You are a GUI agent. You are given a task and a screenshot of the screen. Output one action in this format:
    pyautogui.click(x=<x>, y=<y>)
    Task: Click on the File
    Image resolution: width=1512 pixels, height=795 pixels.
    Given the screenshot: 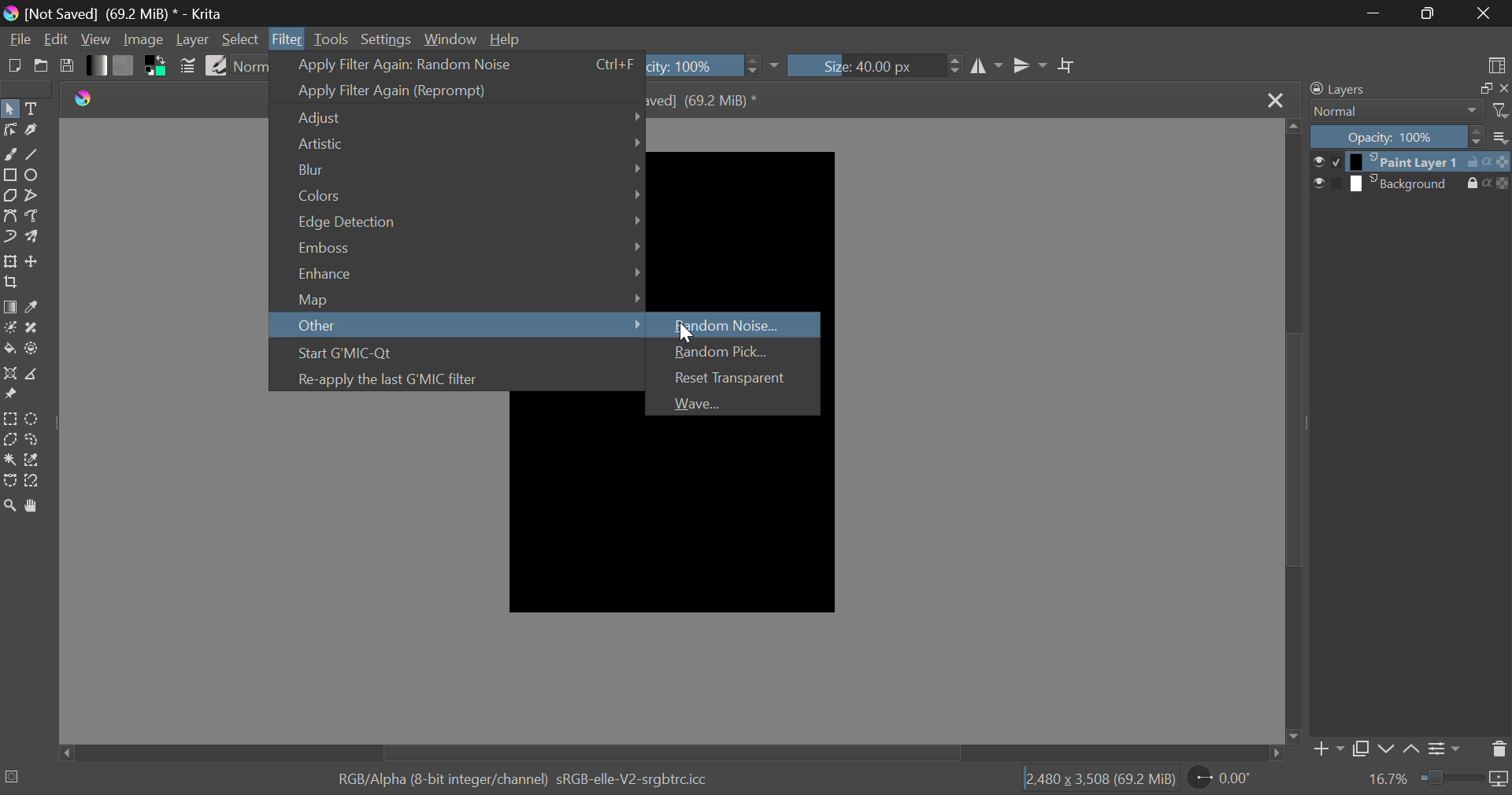 What is the action you would take?
    pyautogui.click(x=18, y=41)
    